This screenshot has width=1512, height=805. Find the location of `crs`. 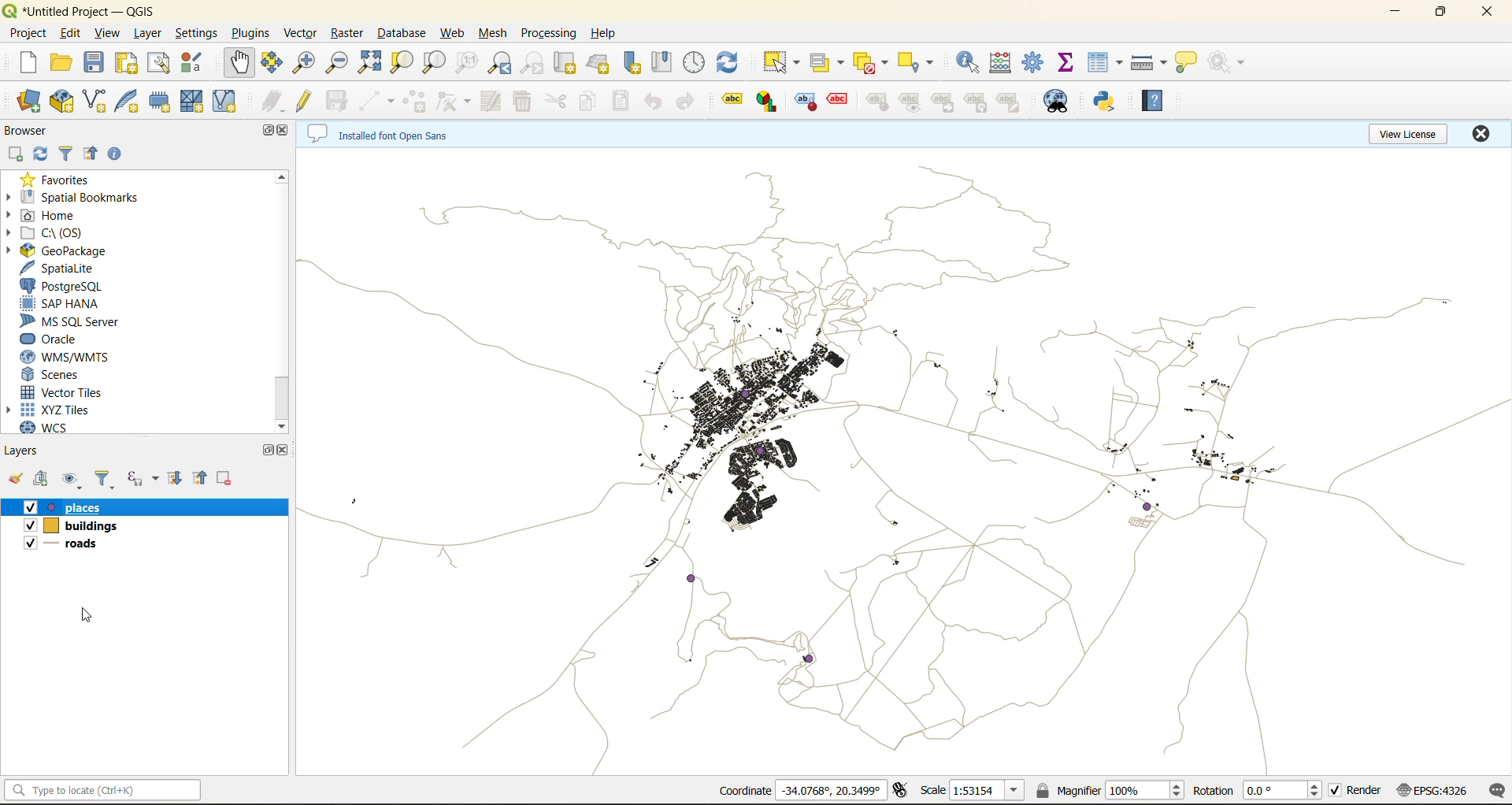

crs is located at coordinates (1432, 789).